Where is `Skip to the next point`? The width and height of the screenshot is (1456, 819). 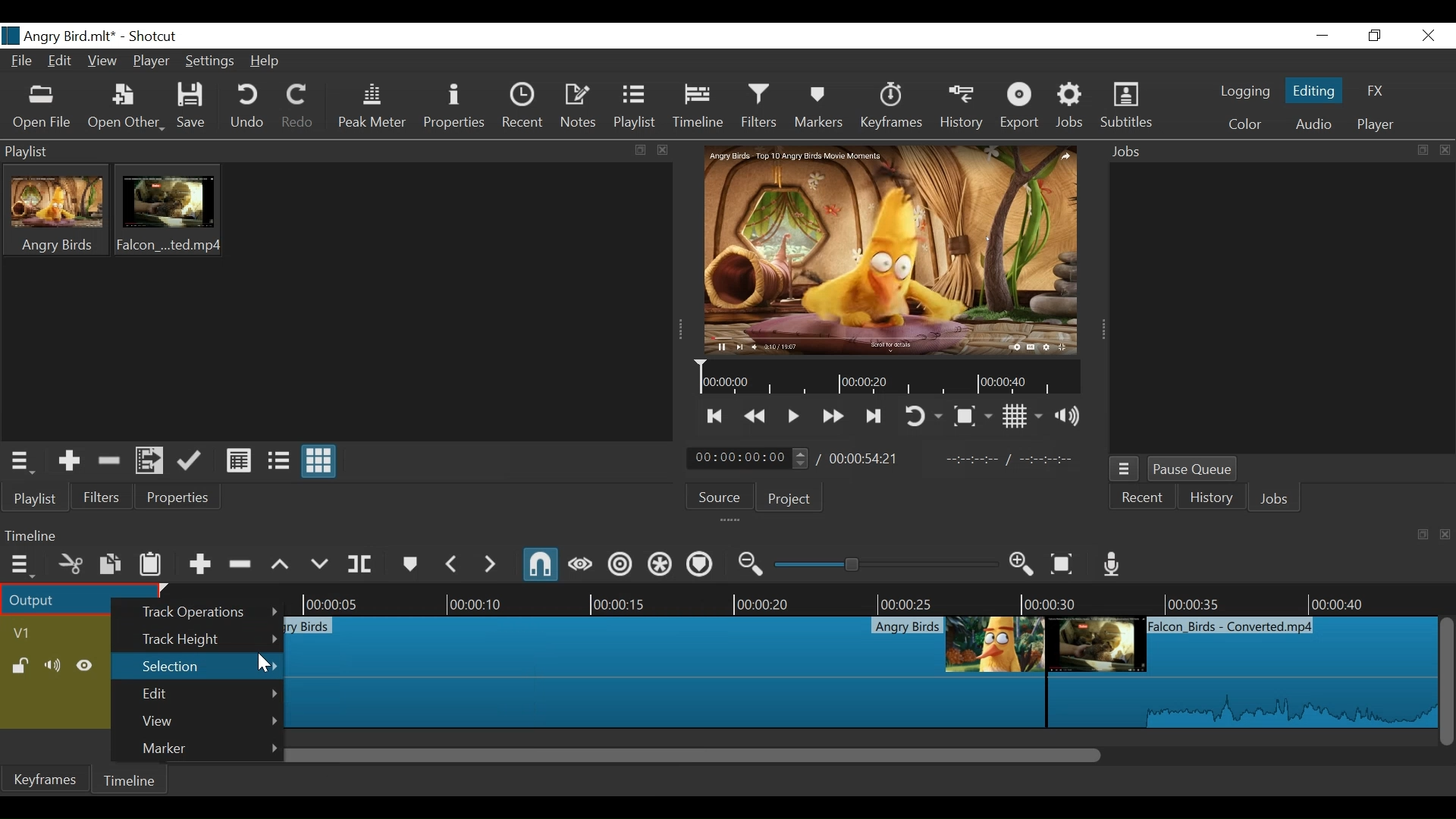 Skip to the next point is located at coordinates (872, 417).